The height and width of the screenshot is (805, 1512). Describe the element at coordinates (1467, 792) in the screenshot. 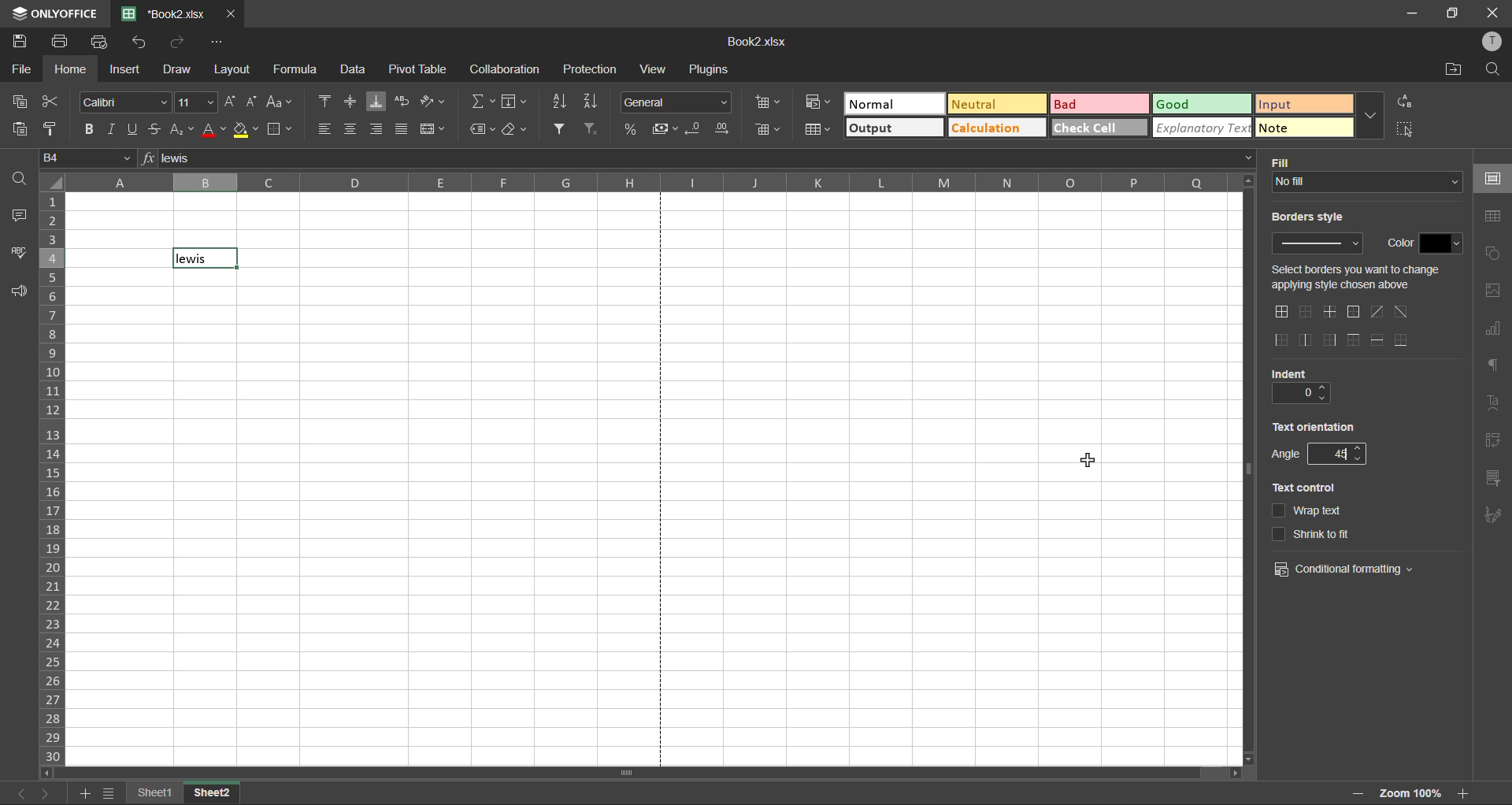

I see `zoom in` at that location.